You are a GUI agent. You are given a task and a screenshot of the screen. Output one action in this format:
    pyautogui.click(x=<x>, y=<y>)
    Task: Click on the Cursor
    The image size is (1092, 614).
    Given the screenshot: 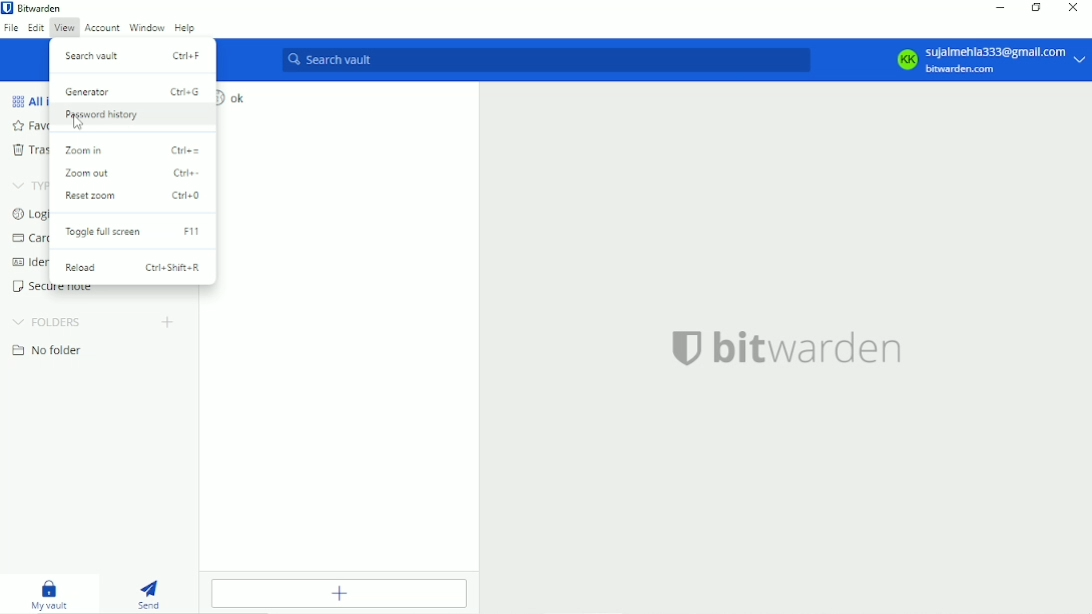 What is the action you would take?
    pyautogui.click(x=77, y=123)
    